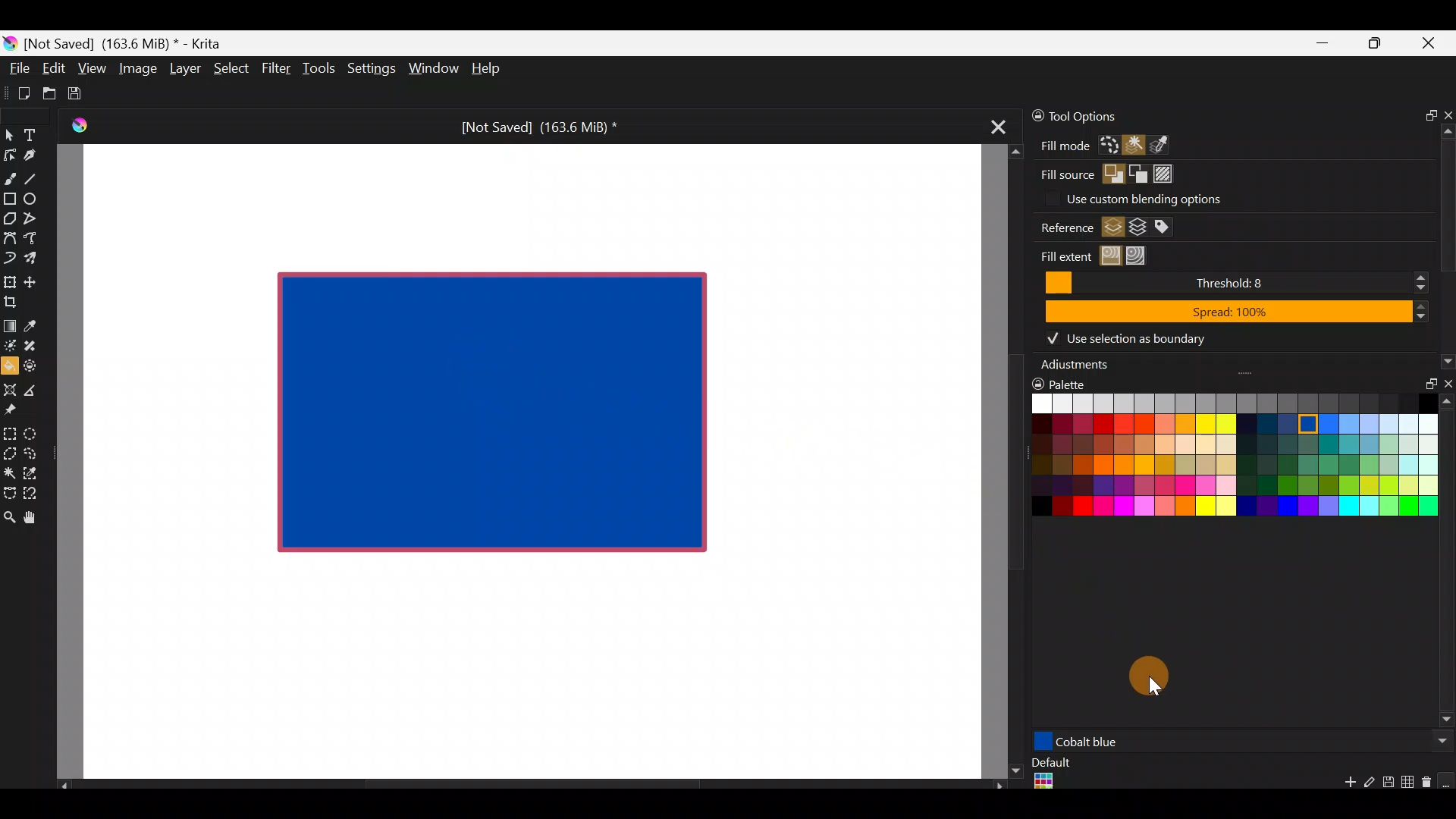 This screenshot has width=1456, height=819. Describe the element at coordinates (489, 414) in the screenshot. I see `Rectangle shape on Canvas` at that location.